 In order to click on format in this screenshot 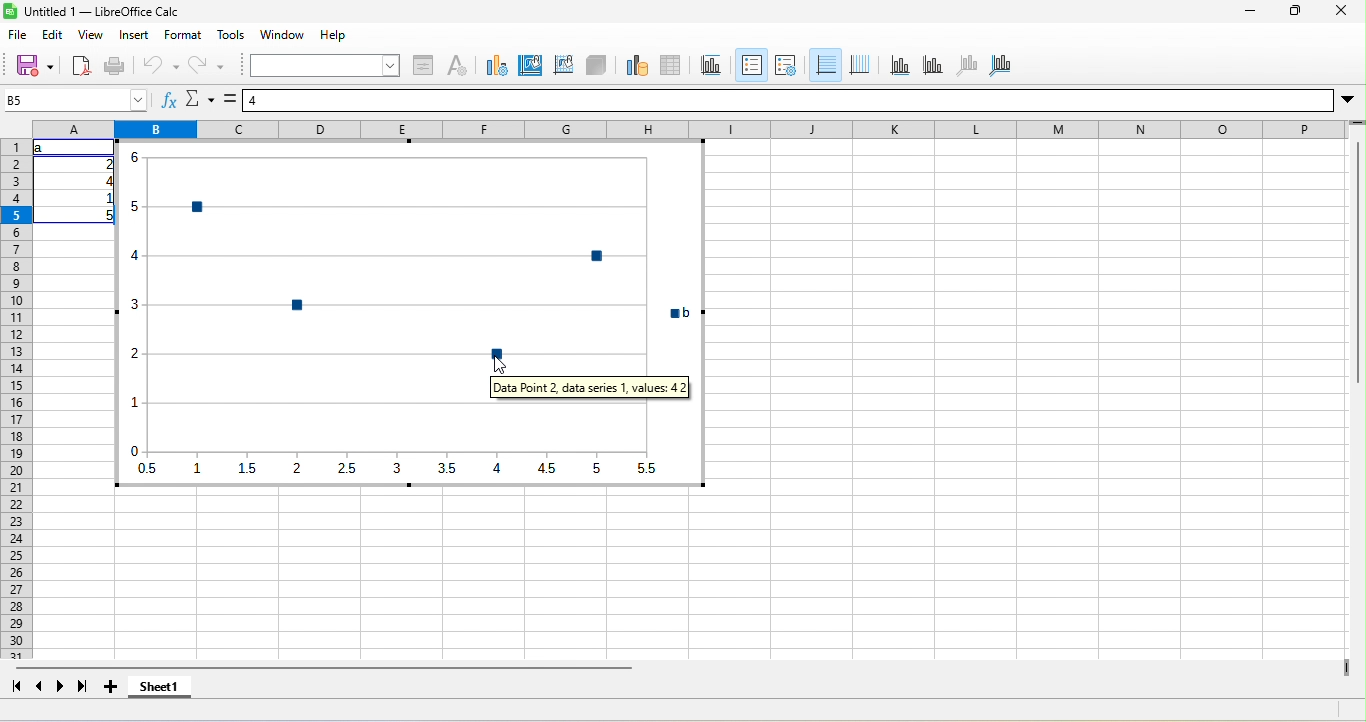, I will do `click(183, 35)`.